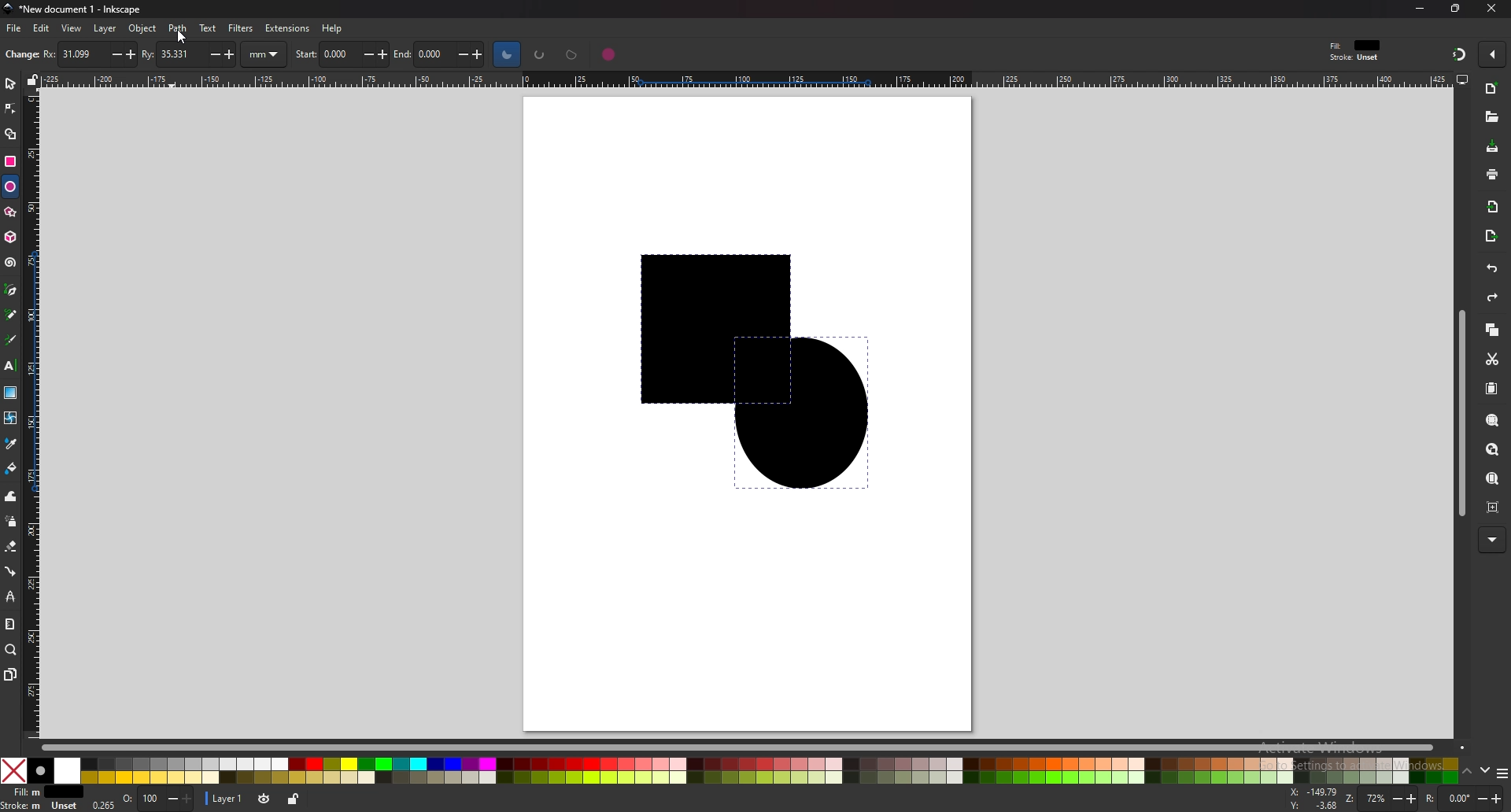  Describe the element at coordinates (12, 445) in the screenshot. I see `dropper` at that location.